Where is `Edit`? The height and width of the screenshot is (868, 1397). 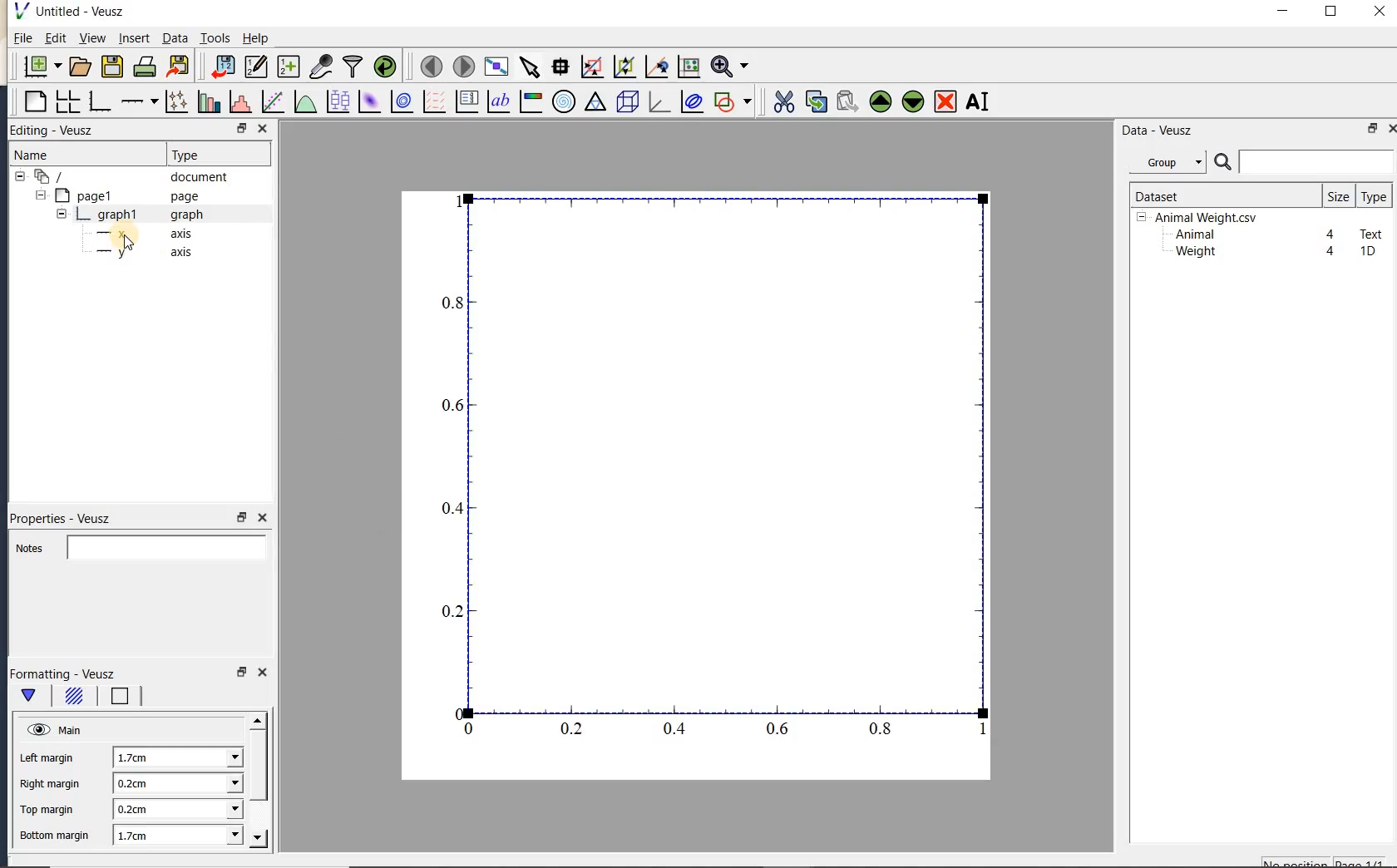
Edit is located at coordinates (52, 40).